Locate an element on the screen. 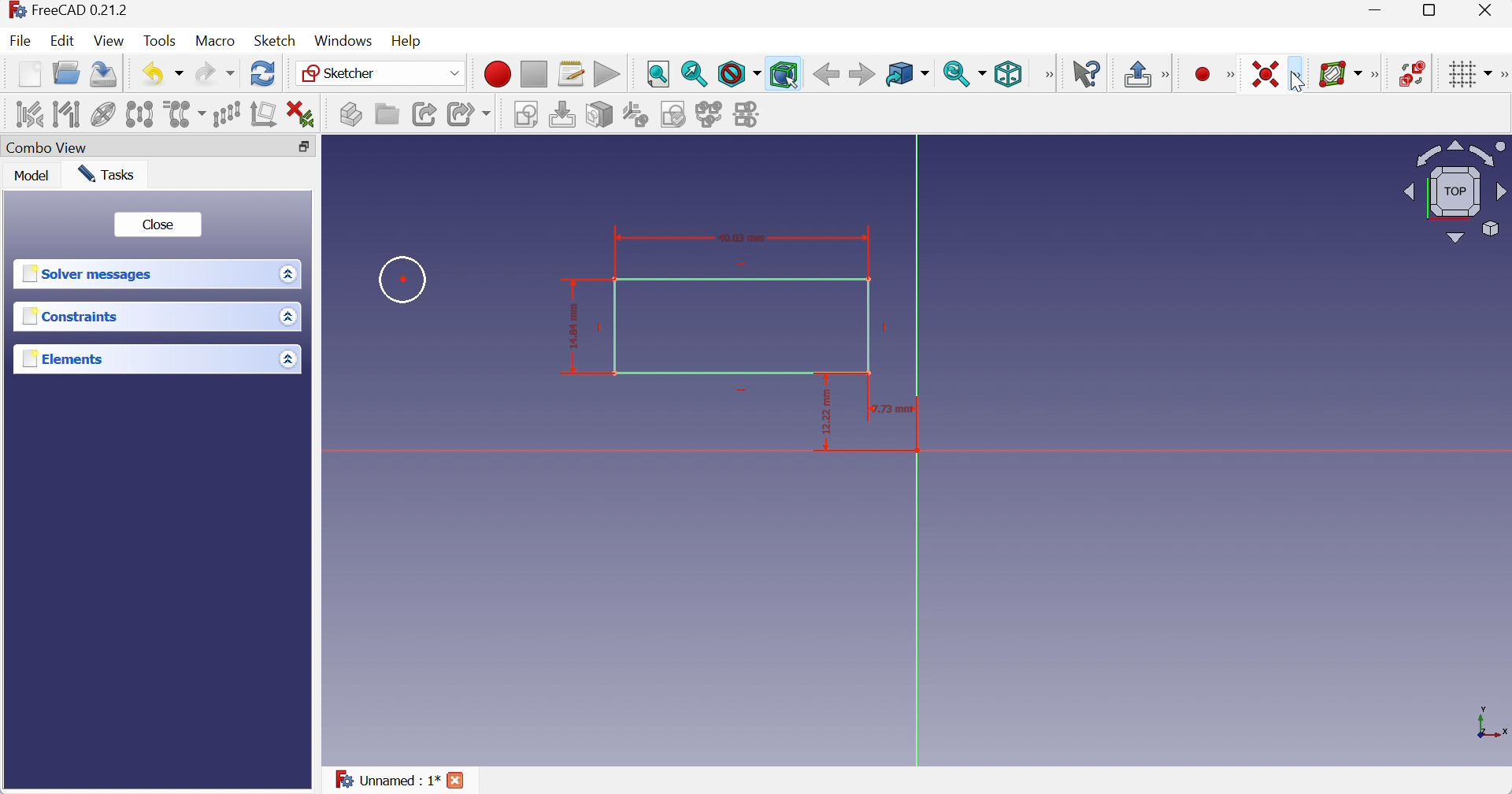 The image size is (1512, 794). Edit sketch is located at coordinates (565, 115).